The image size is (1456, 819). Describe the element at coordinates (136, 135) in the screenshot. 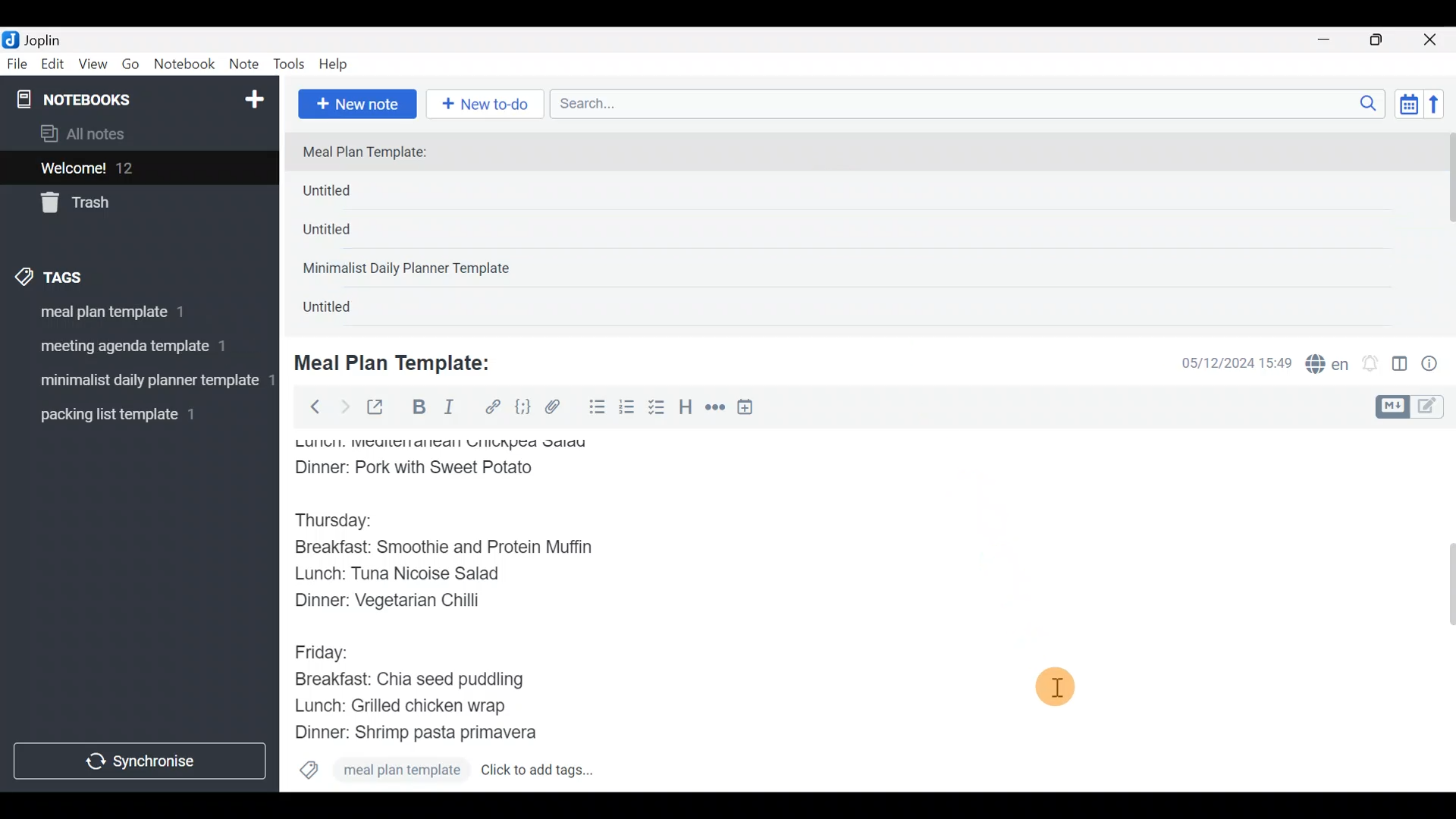

I see `All notes` at that location.